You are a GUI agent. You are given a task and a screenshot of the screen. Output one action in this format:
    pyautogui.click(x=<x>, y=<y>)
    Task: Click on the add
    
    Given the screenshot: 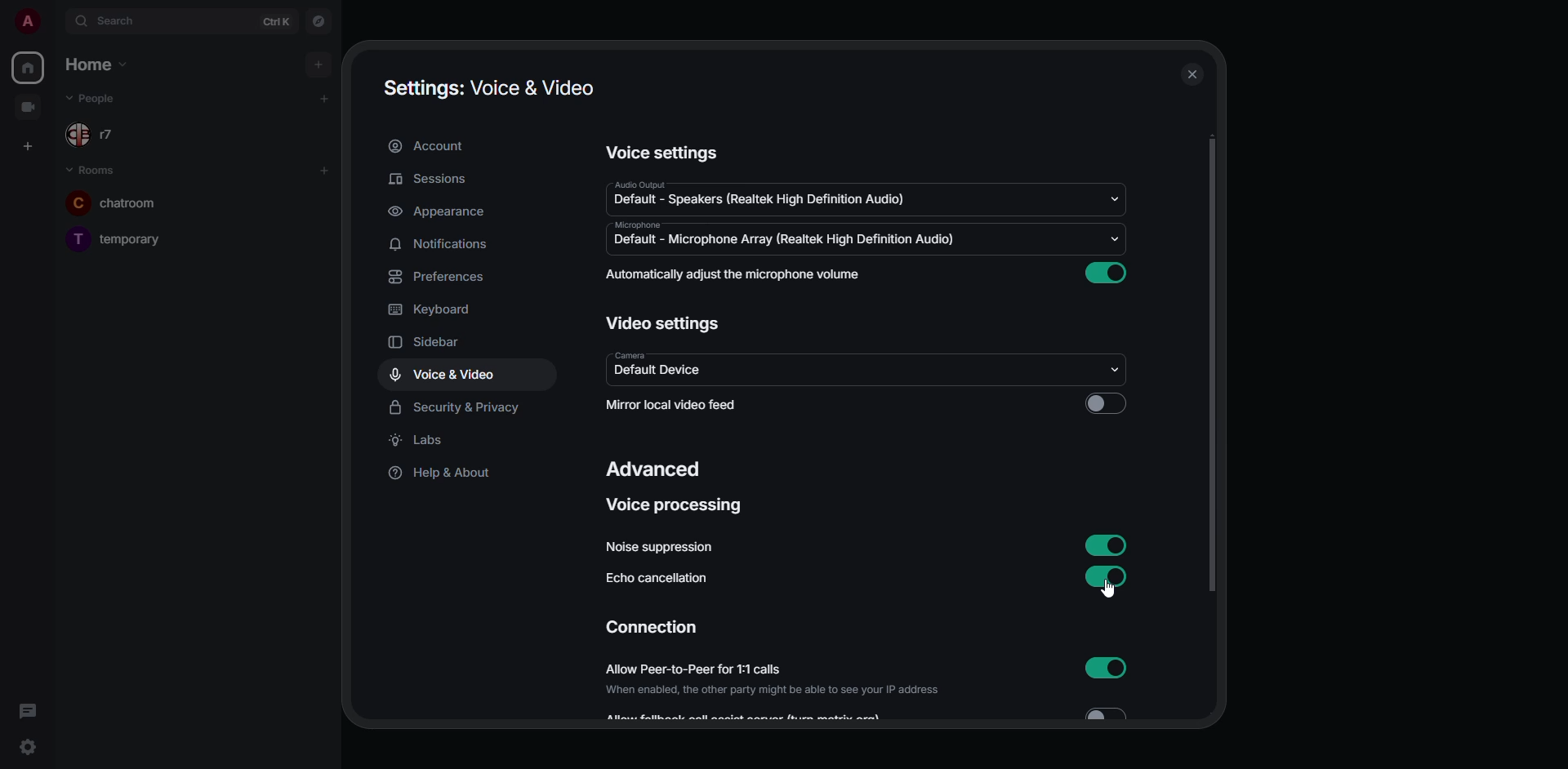 What is the action you would take?
    pyautogui.click(x=320, y=63)
    